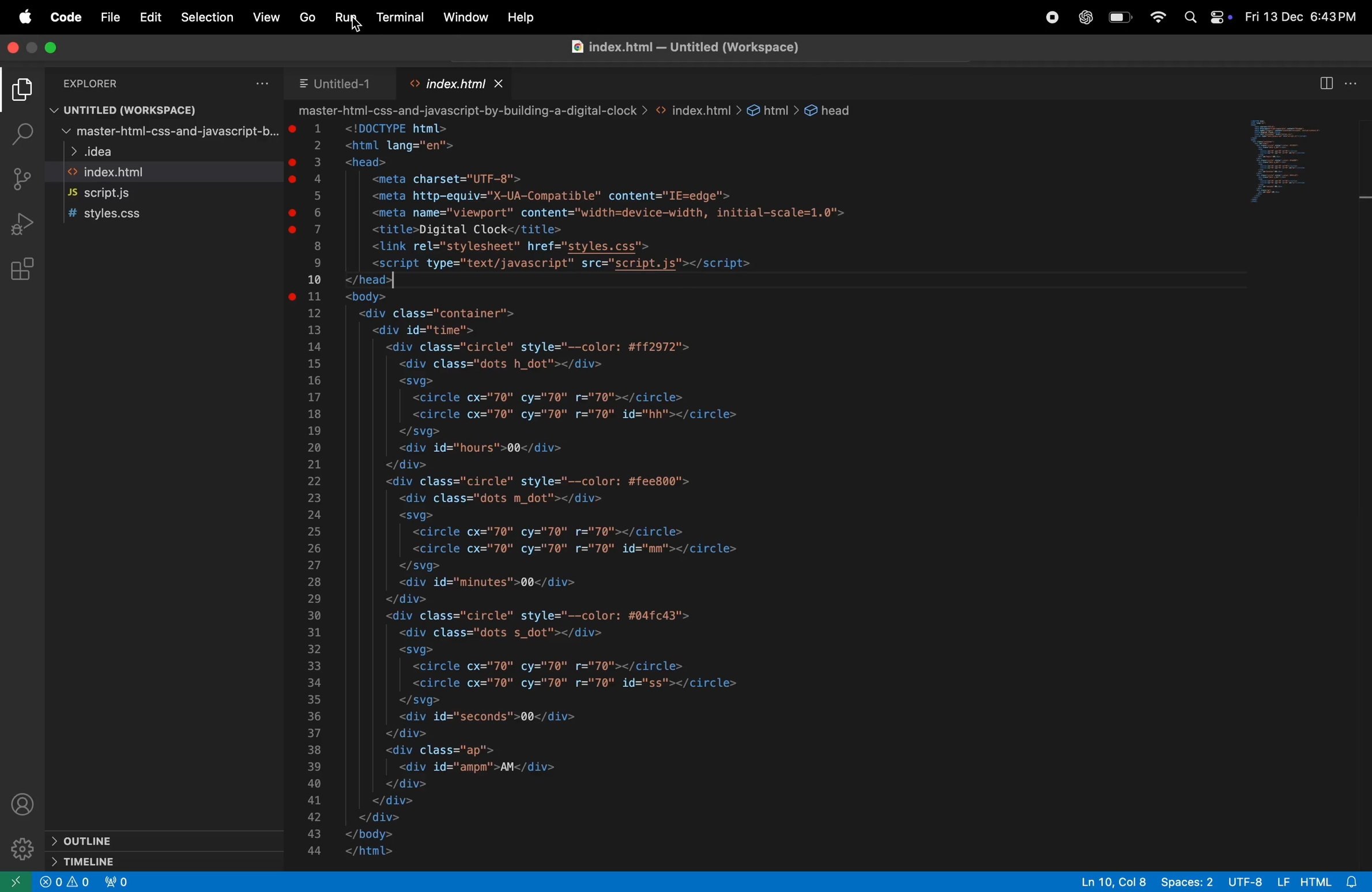 Image resolution: width=1372 pixels, height=892 pixels. Describe the element at coordinates (1248, 881) in the screenshot. I see `UTF 8` at that location.